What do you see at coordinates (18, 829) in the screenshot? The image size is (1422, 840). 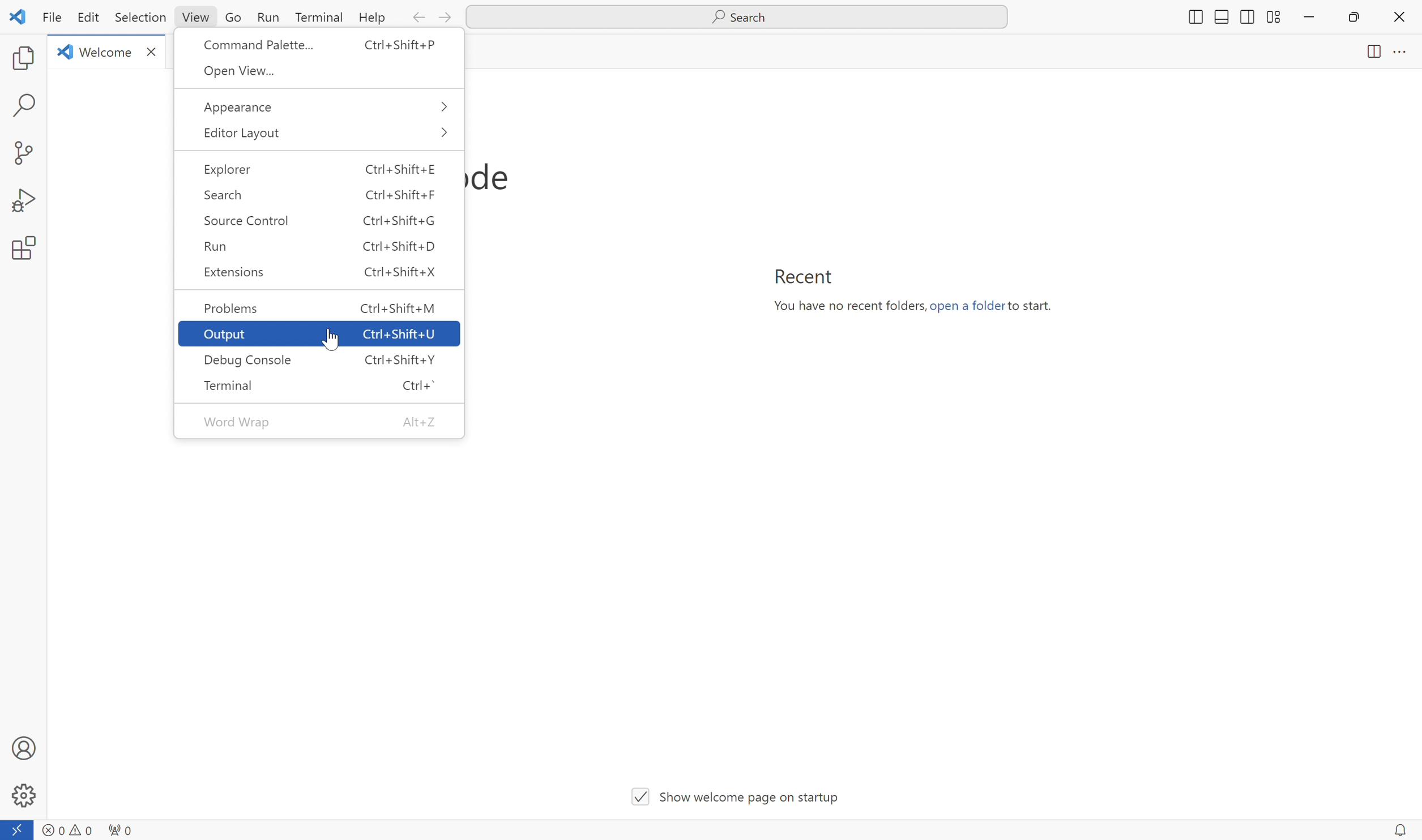 I see `open a remote window` at bounding box center [18, 829].